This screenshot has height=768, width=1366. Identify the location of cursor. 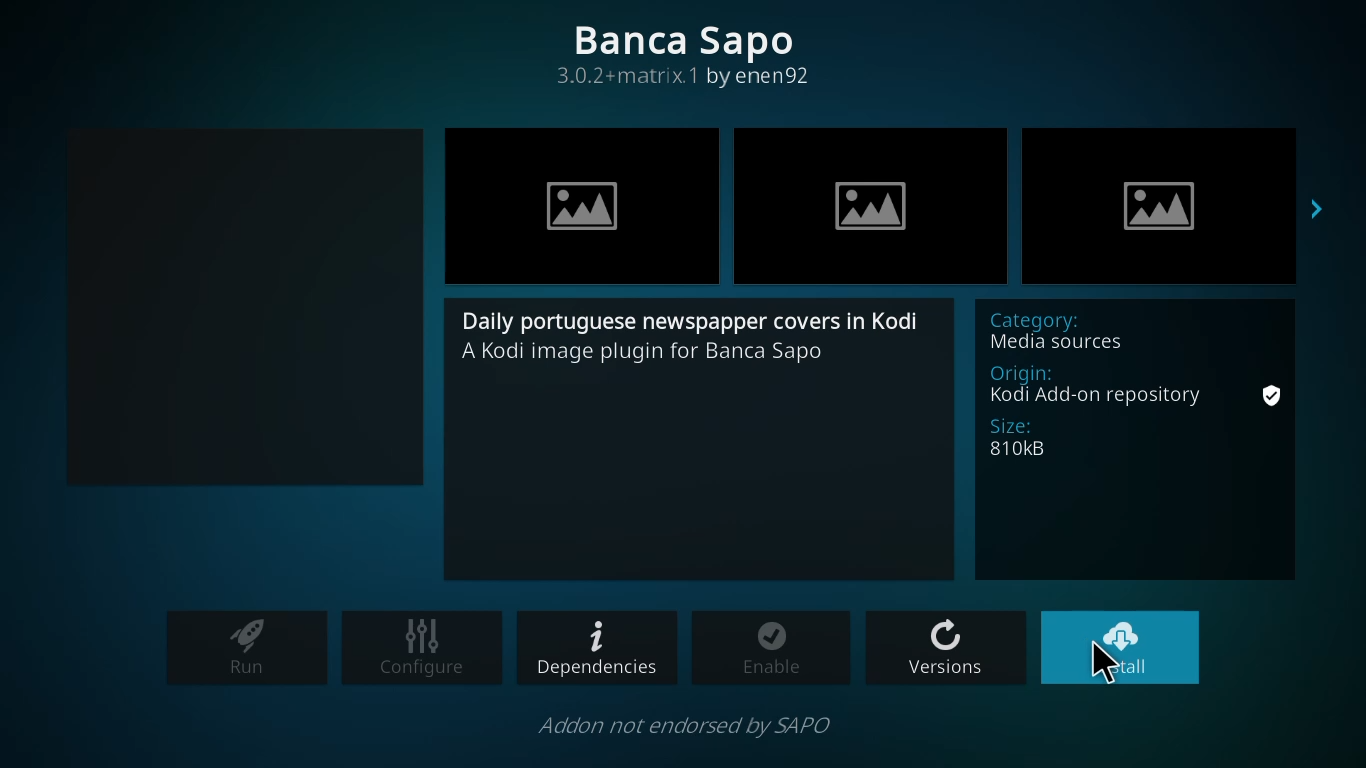
(1104, 664).